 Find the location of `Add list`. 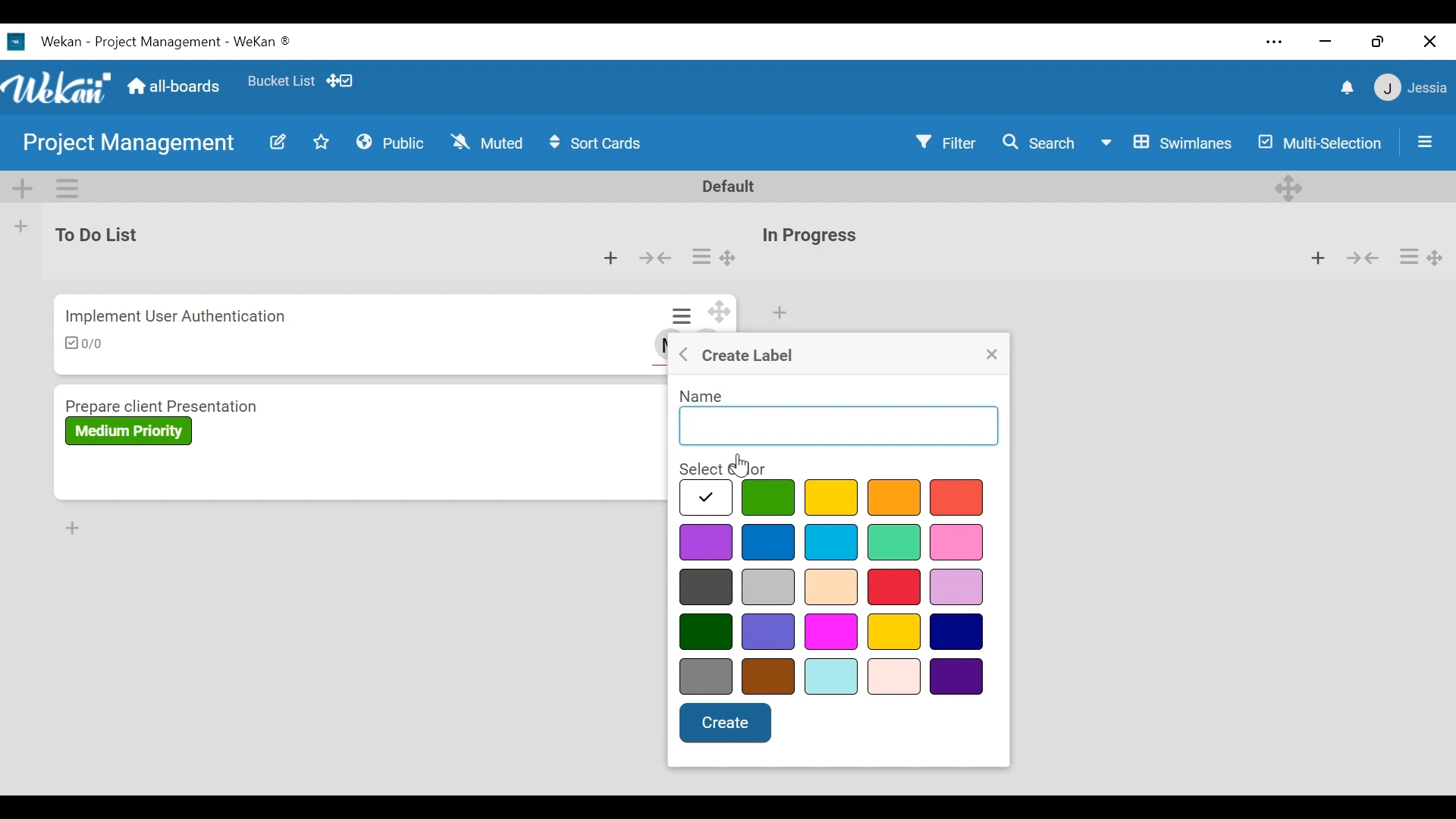

Add list is located at coordinates (21, 226).